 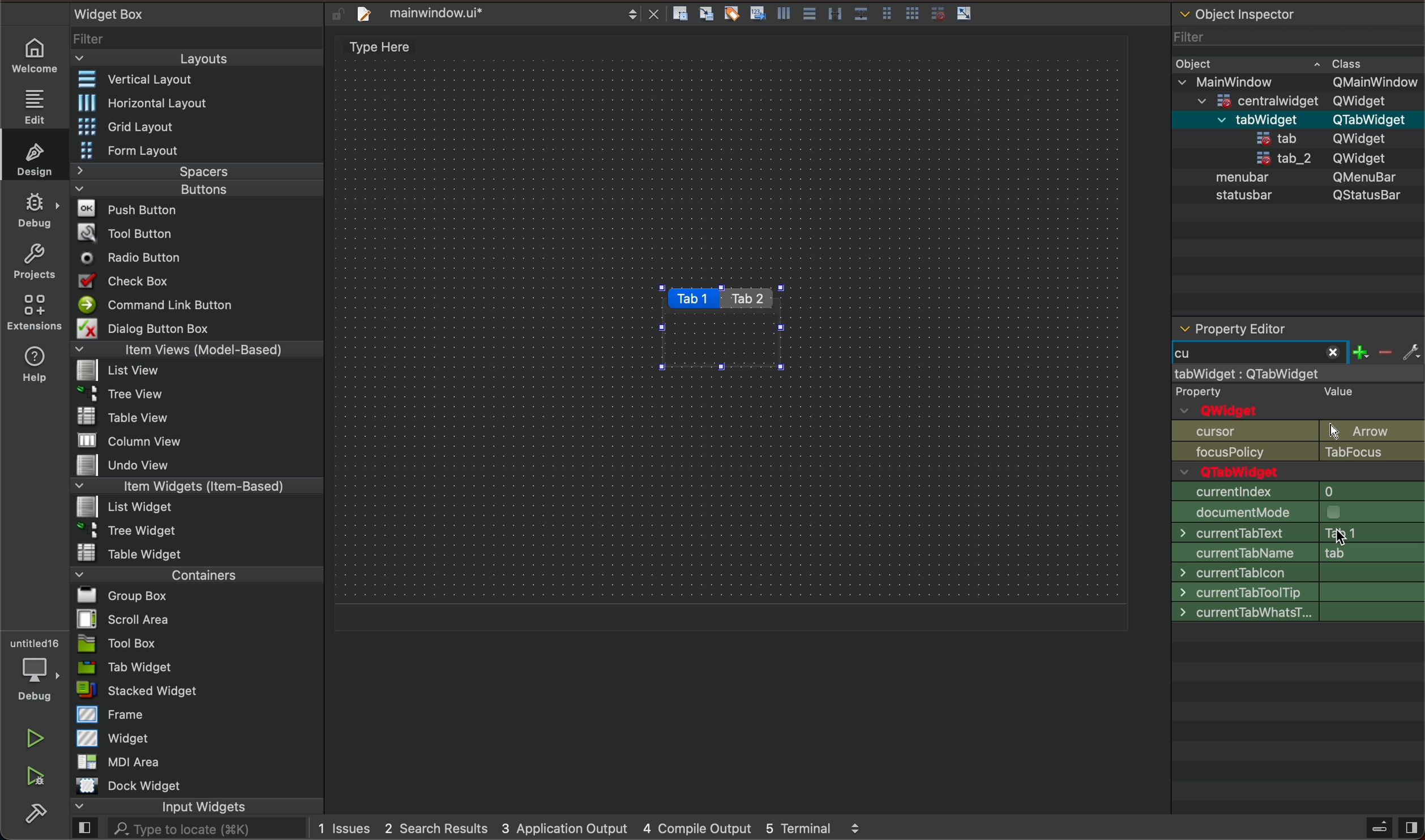 I want to click on ~ 3 Tree Widget, so click(x=119, y=530).